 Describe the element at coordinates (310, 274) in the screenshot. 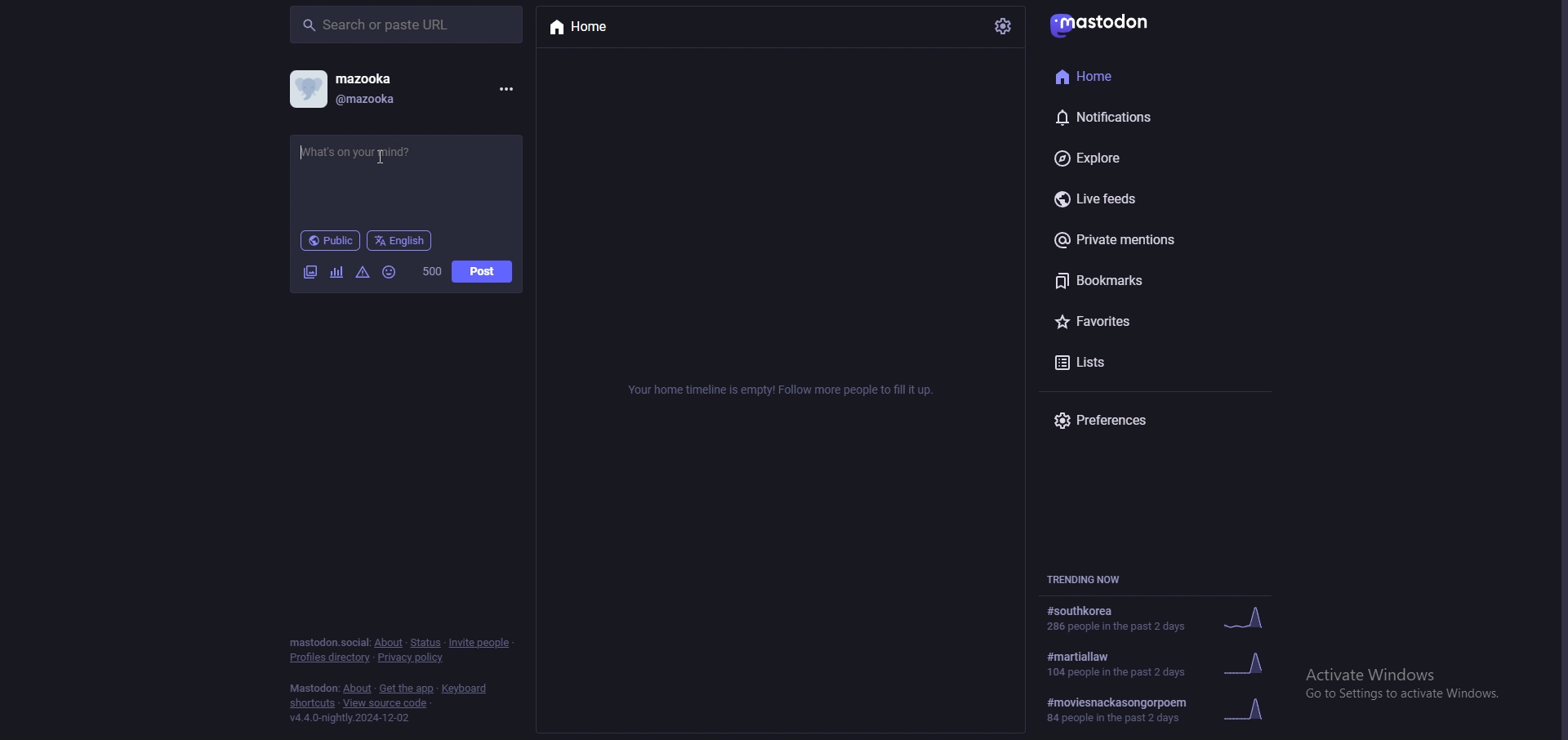

I see `images` at that location.